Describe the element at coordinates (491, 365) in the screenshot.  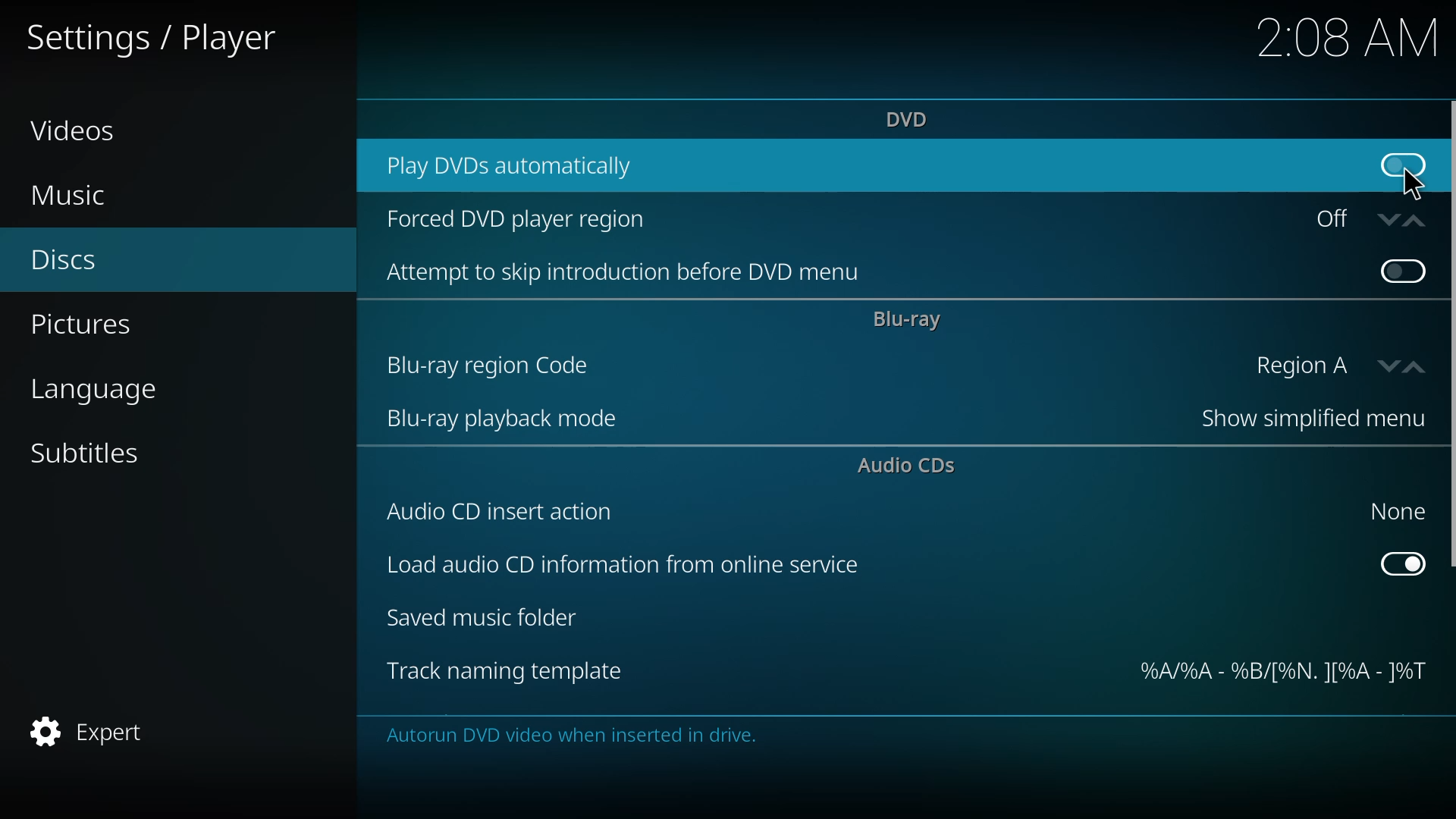
I see `bluray region code` at that location.